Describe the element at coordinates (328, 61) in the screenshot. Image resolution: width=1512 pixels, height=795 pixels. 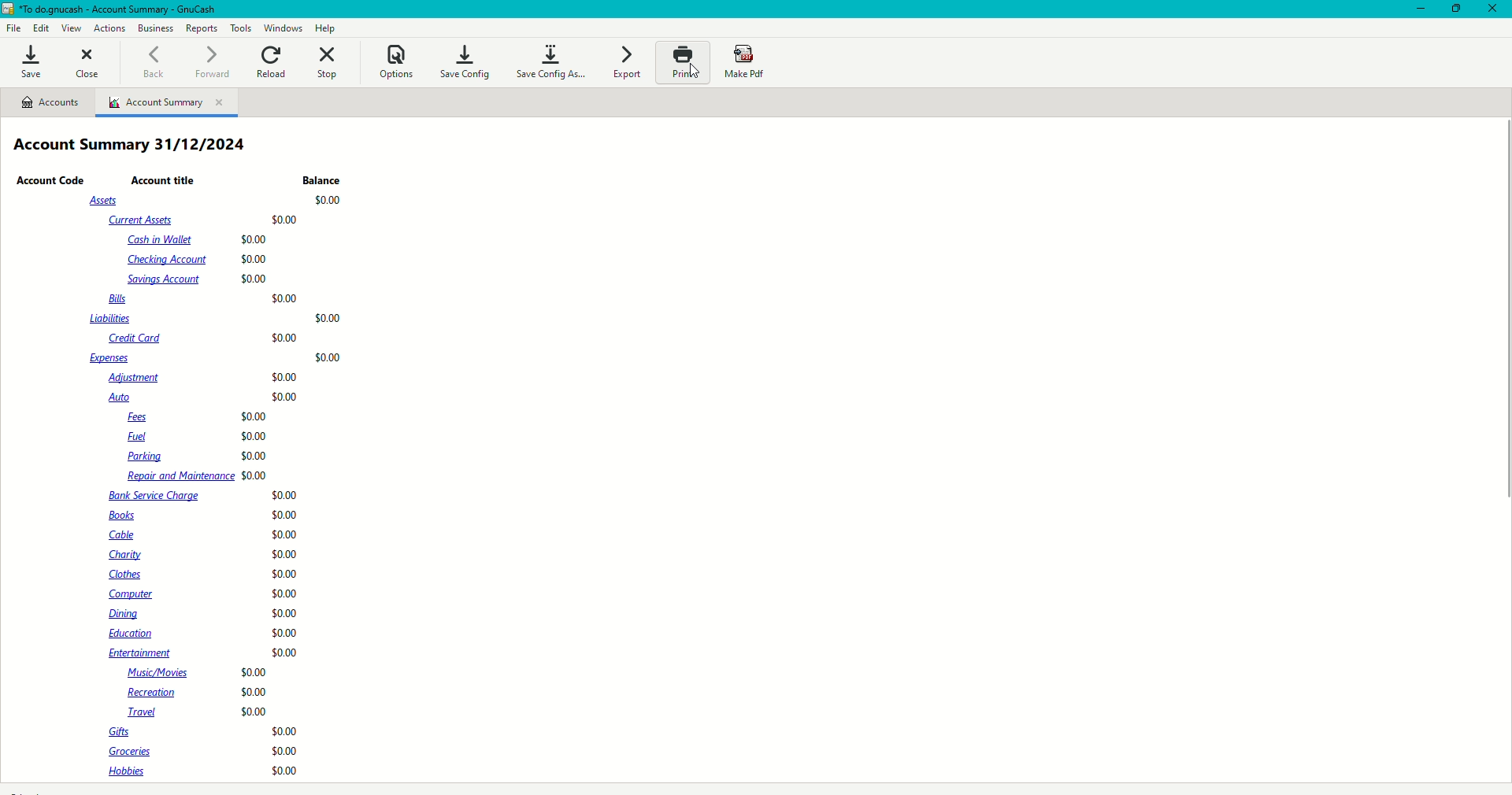
I see `Stop` at that location.